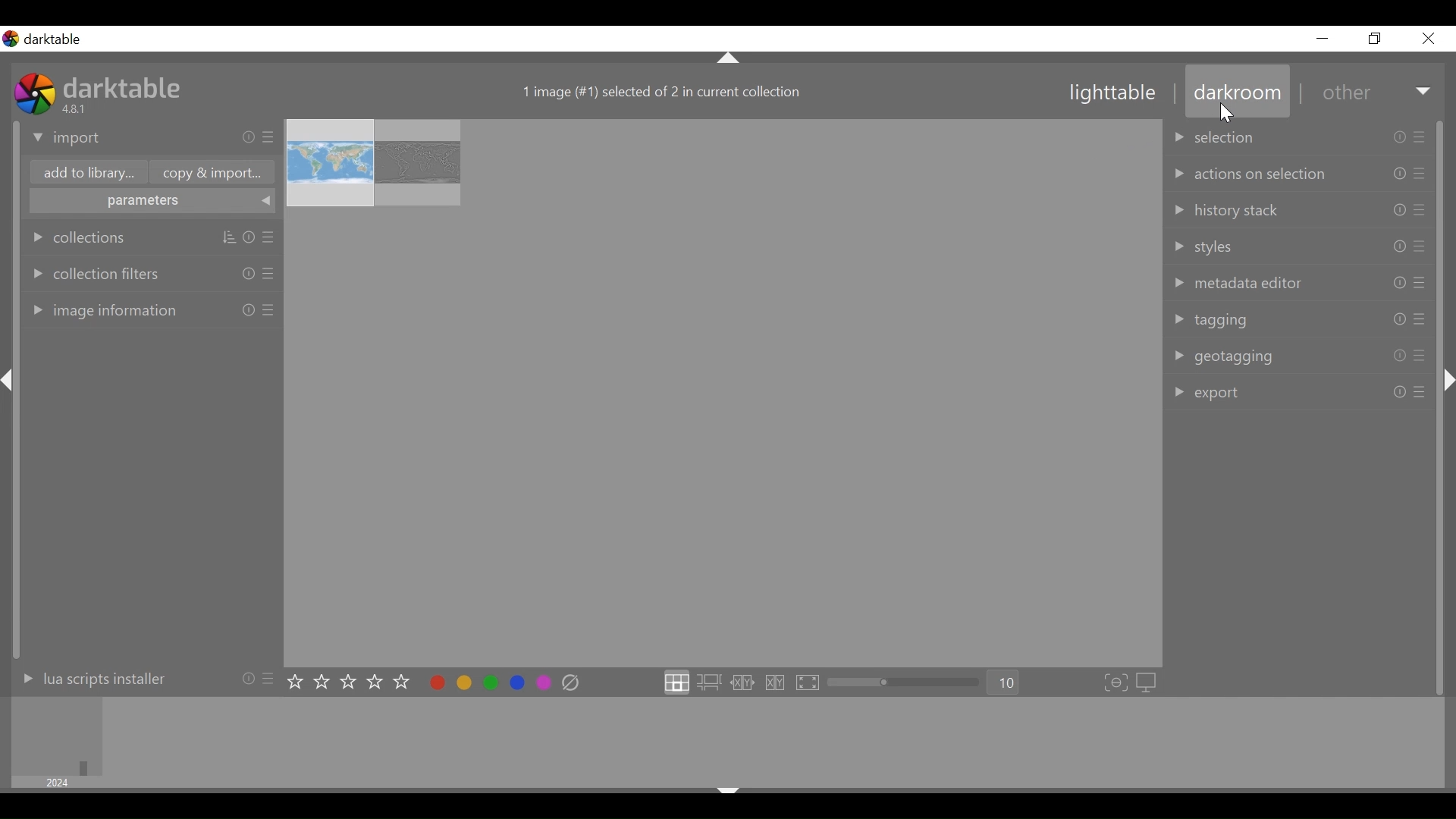 The width and height of the screenshot is (1456, 819). Describe the element at coordinates (58, 736) in the screenshot. I see `image filter view` at that location.